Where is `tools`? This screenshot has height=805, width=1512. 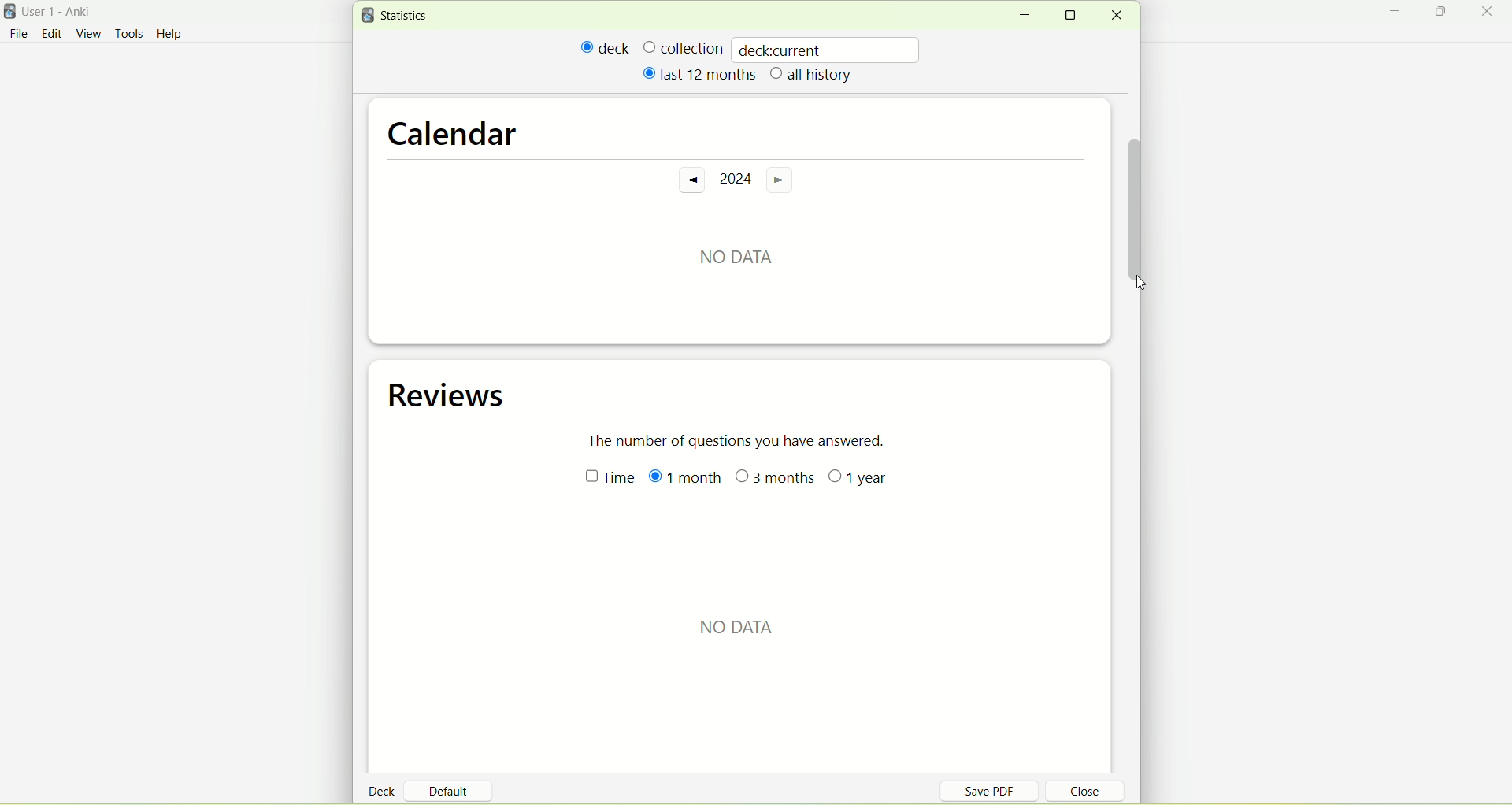 tools is located at coordinates (128, 35).